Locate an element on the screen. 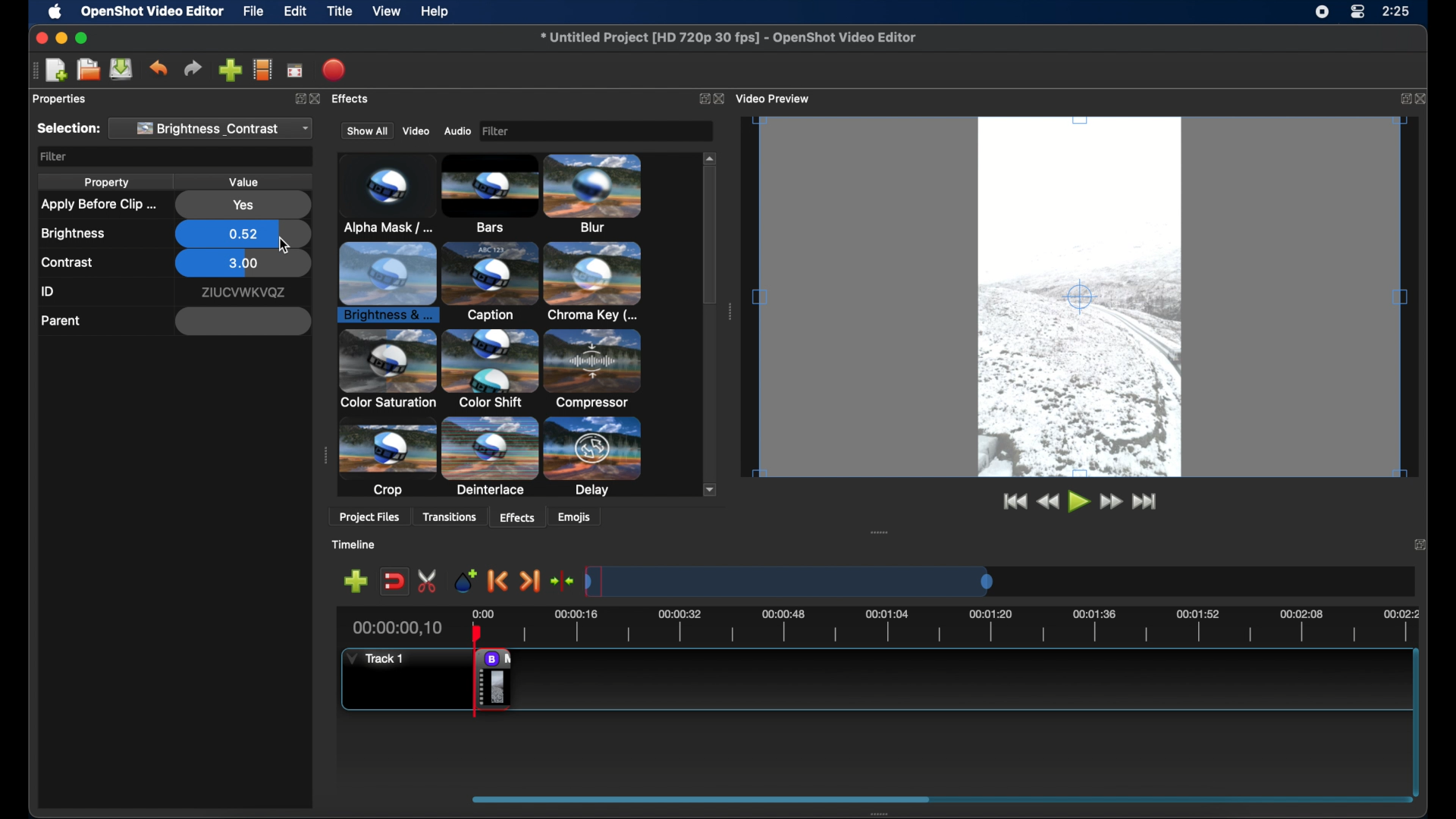 The width and height of the screenshot is (1456, 819). 0.52 is located at coordinates (243, 232).